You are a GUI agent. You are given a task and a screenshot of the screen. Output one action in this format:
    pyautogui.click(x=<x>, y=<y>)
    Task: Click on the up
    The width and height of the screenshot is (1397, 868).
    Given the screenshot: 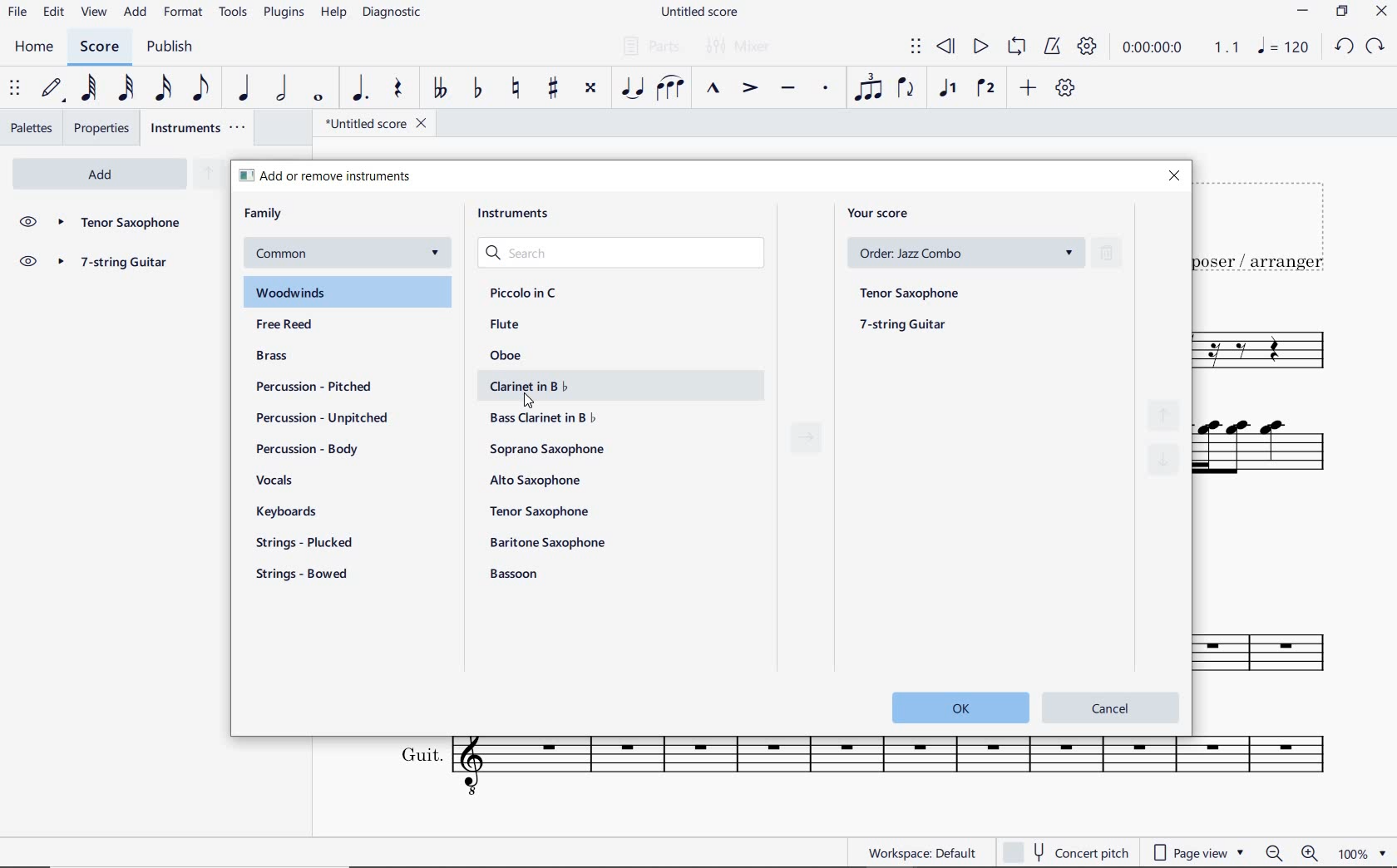 What is the action you would take?
    pyautogui.click(x=207, y=175)
    